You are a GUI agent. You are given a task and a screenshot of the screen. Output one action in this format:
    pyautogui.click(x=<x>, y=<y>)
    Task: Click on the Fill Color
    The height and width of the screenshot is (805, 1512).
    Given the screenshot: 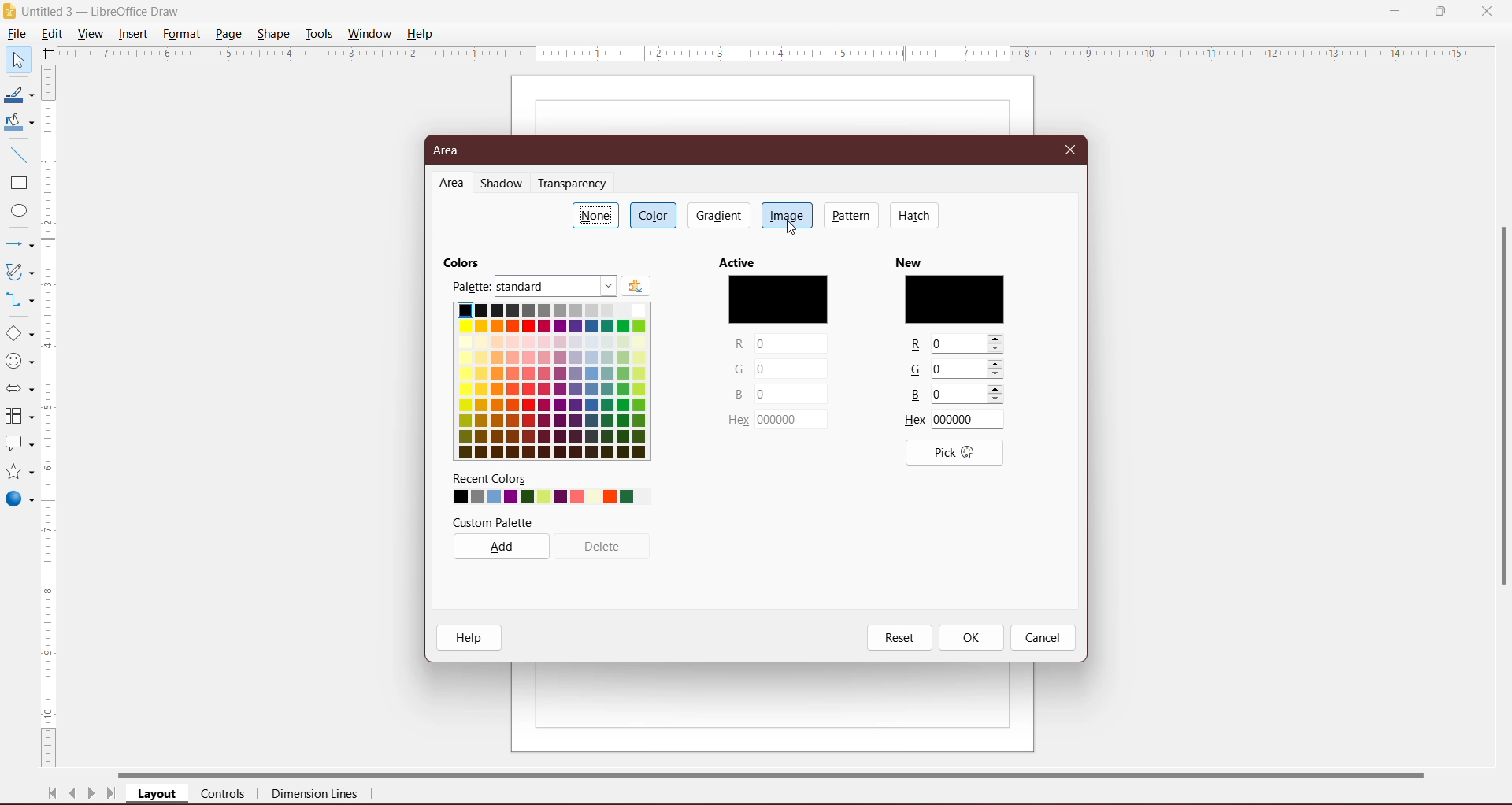 What is the action you would take?
    pyautogui.click(x=16, y=123)
    